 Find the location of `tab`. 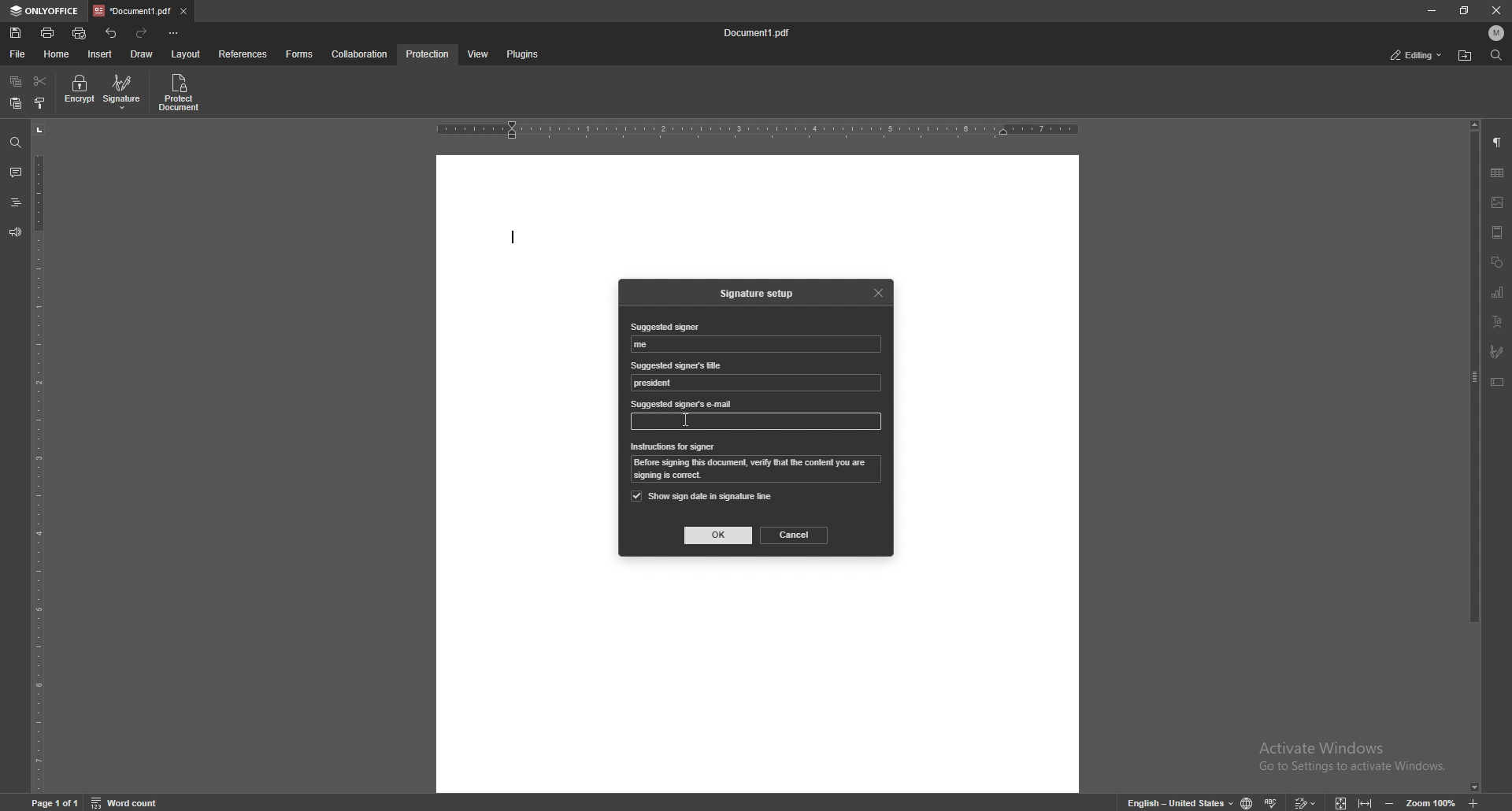

tab is located at coordinates (132, 10).